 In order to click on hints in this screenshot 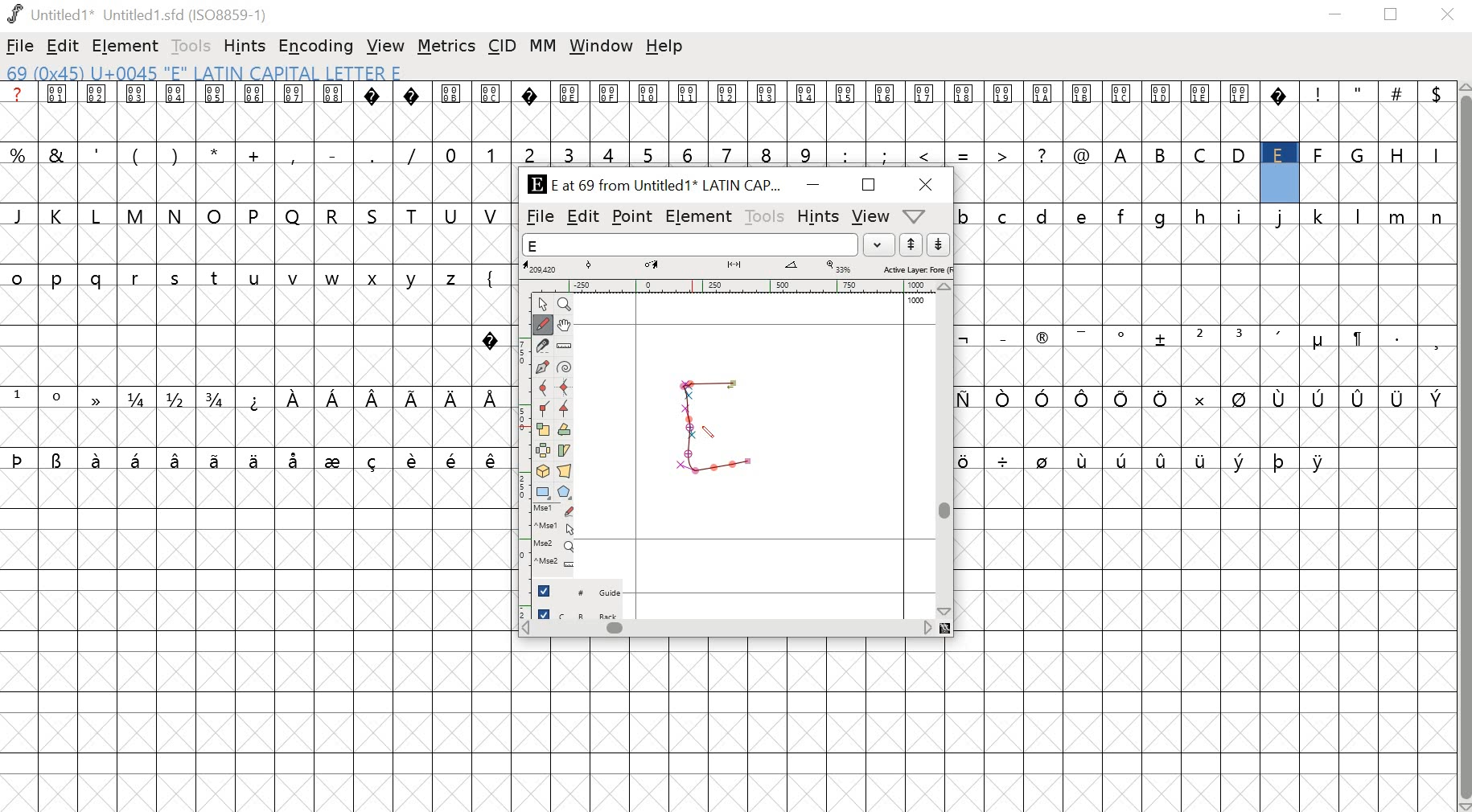, I will do `click(818, 216)`.